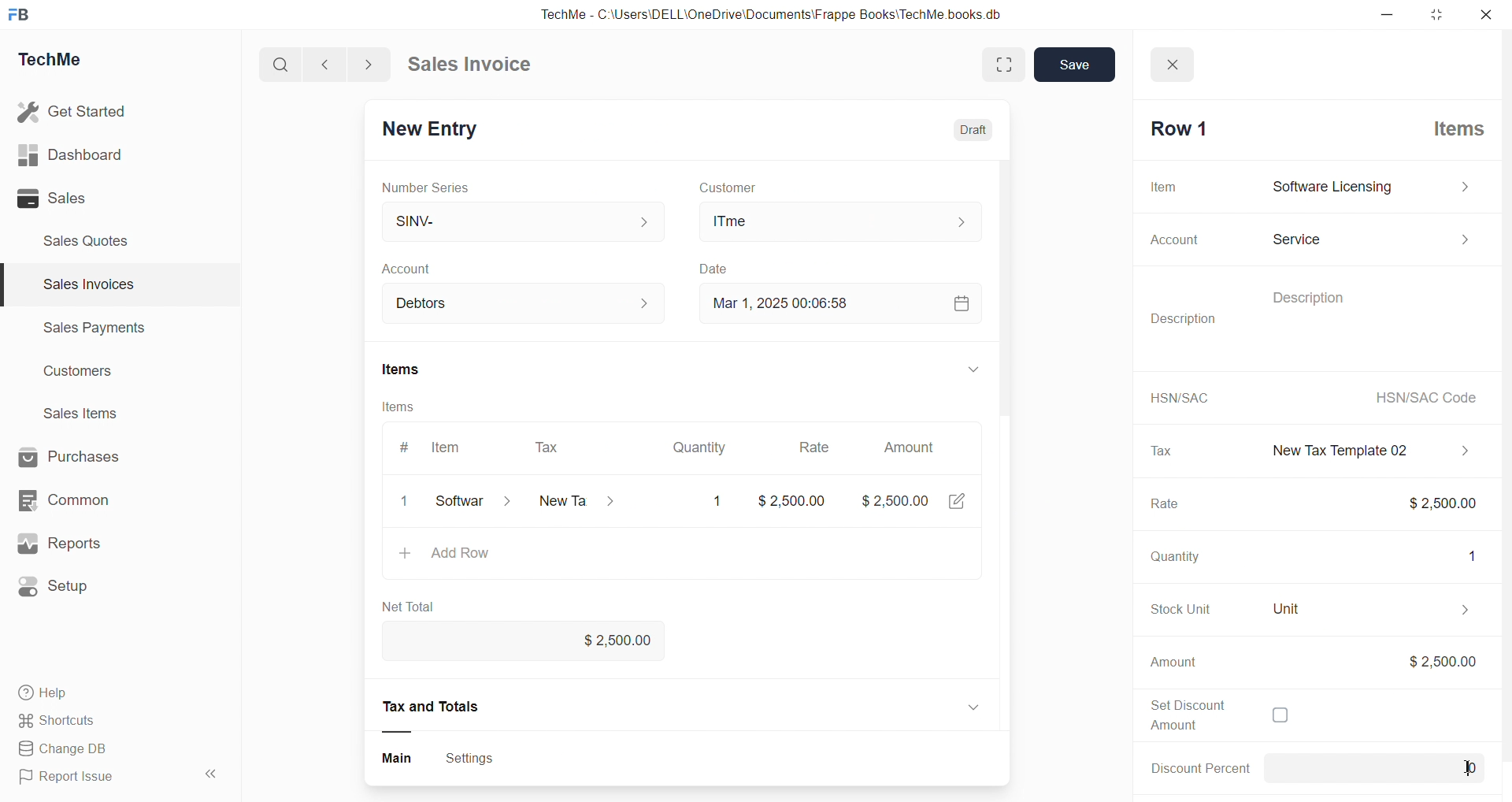 The width and height of the screenshot is (1512, 802). I want to click on Account, so click(1168, 240).